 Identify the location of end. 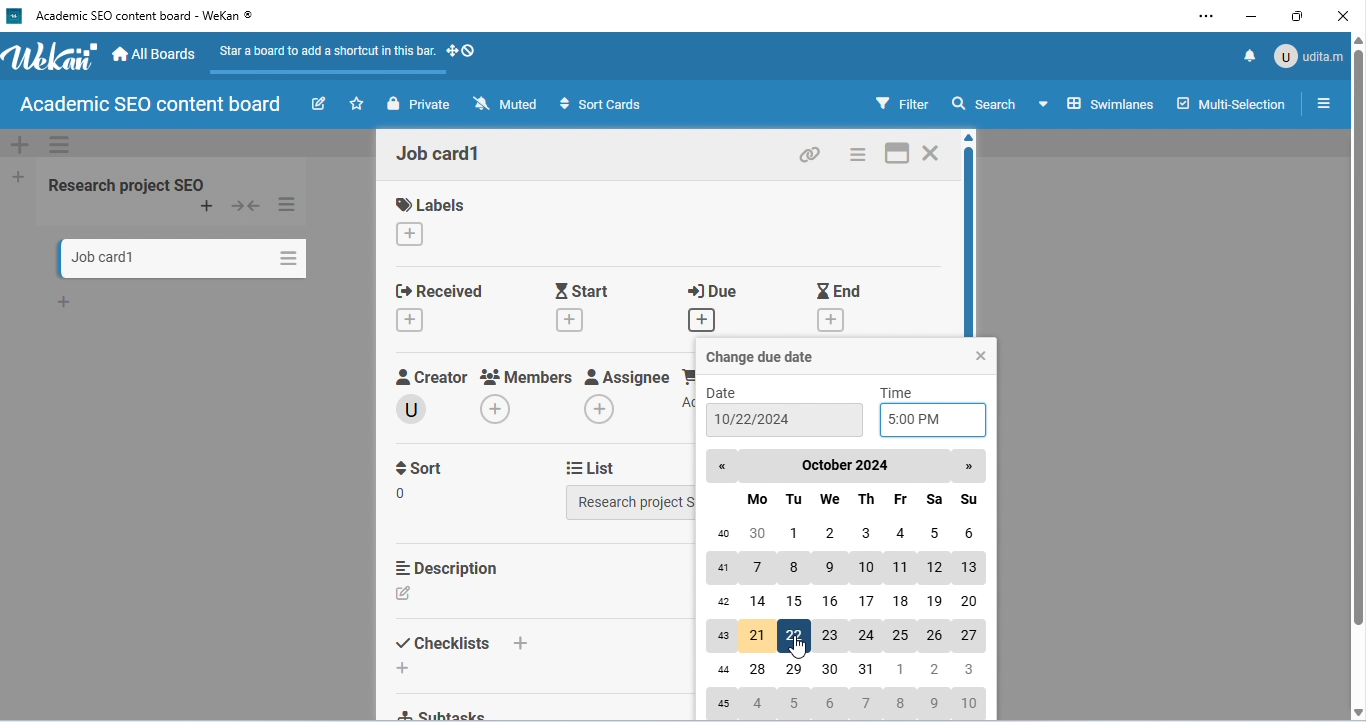
(841, 290).